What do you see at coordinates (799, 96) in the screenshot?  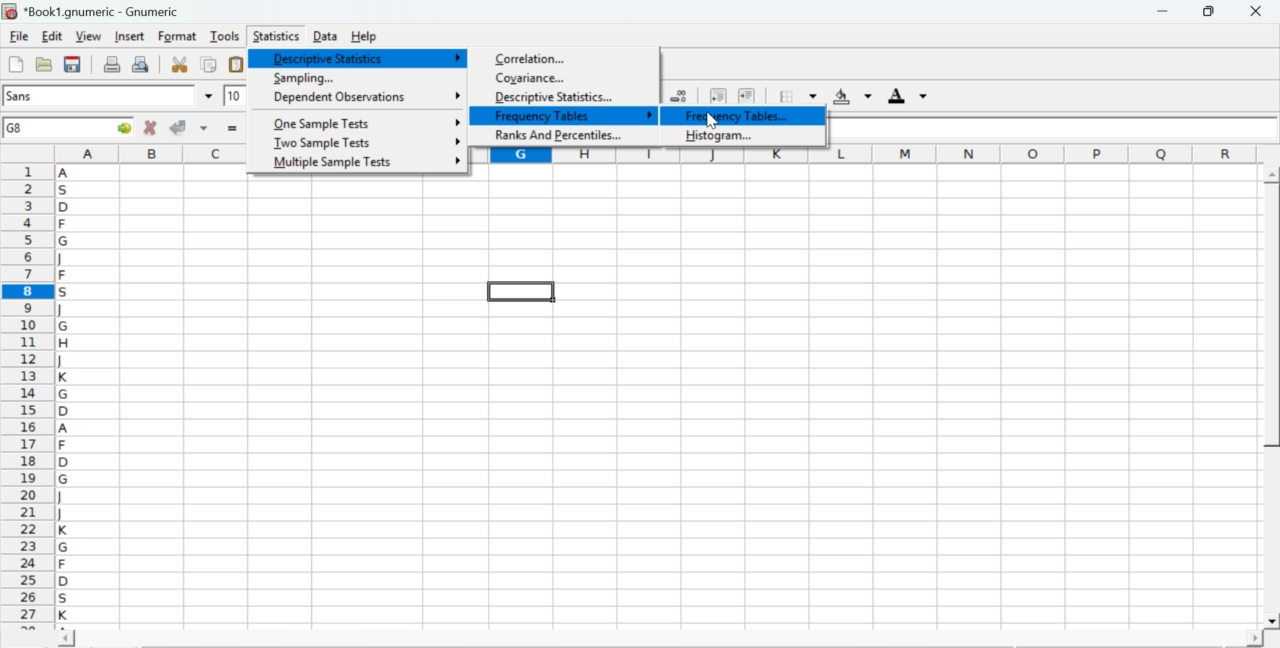 I see `borders` at bounding box center [799, 96].